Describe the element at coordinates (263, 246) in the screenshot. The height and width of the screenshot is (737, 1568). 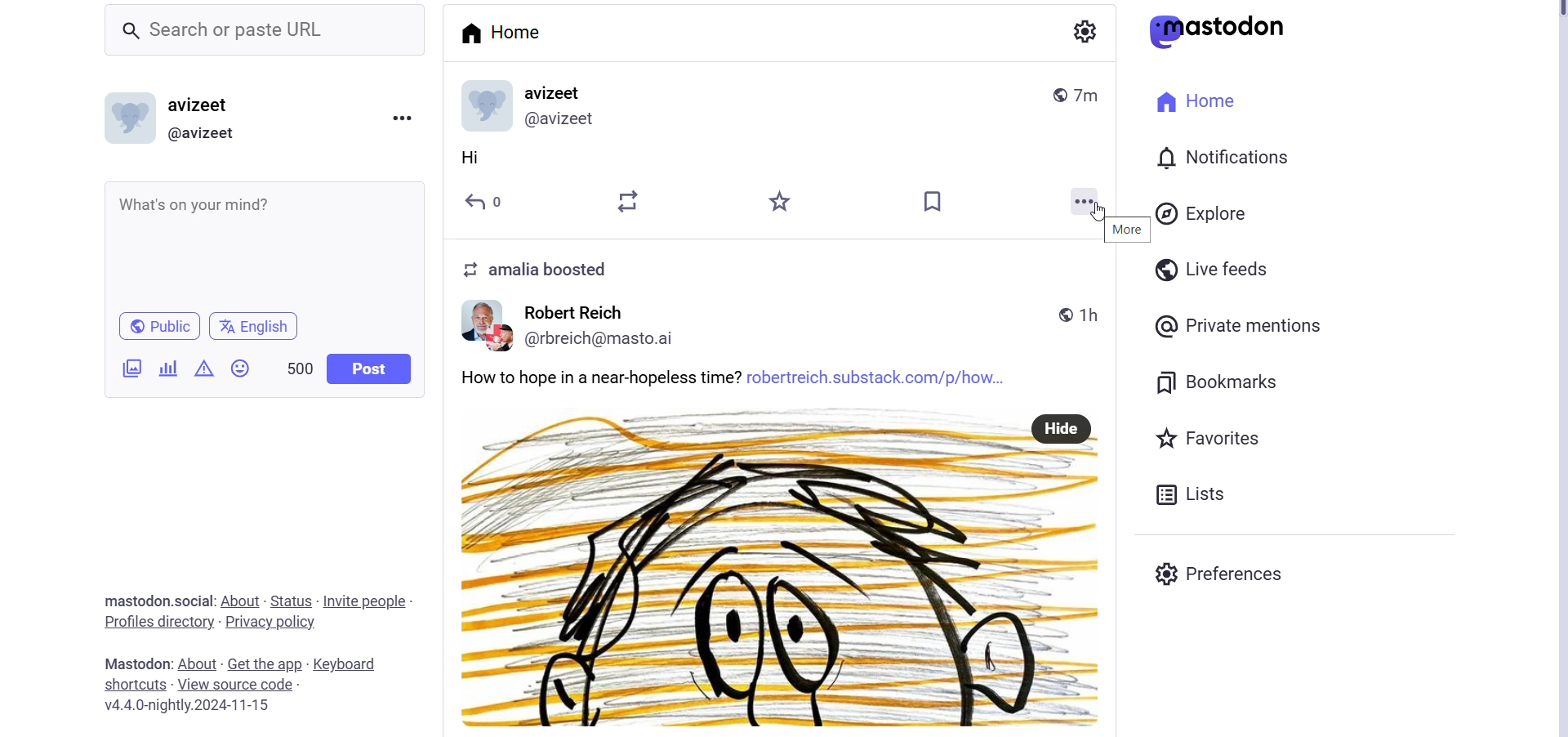
I see `What's on your mind` at that location.